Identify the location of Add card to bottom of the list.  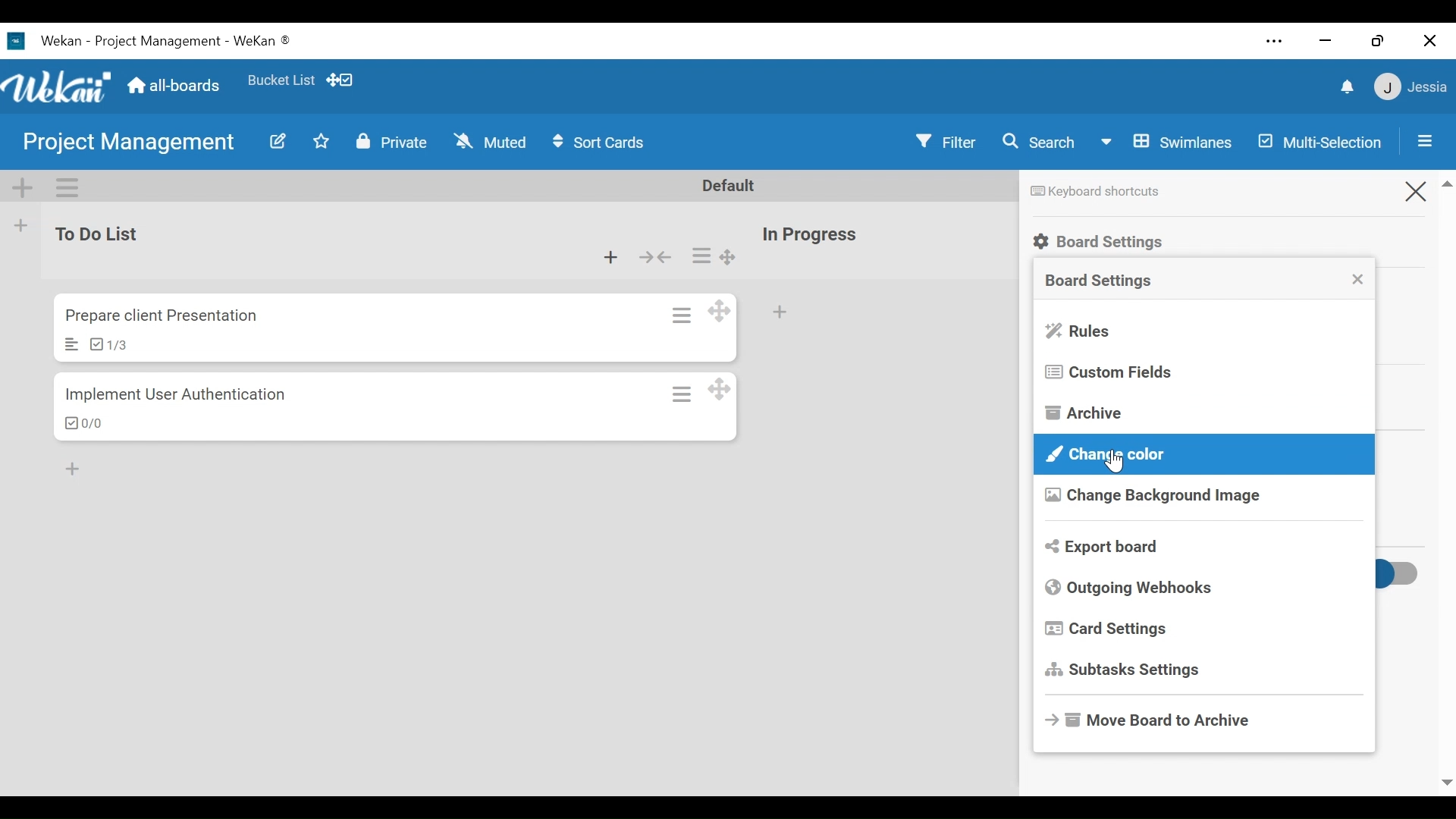
(610, 258).